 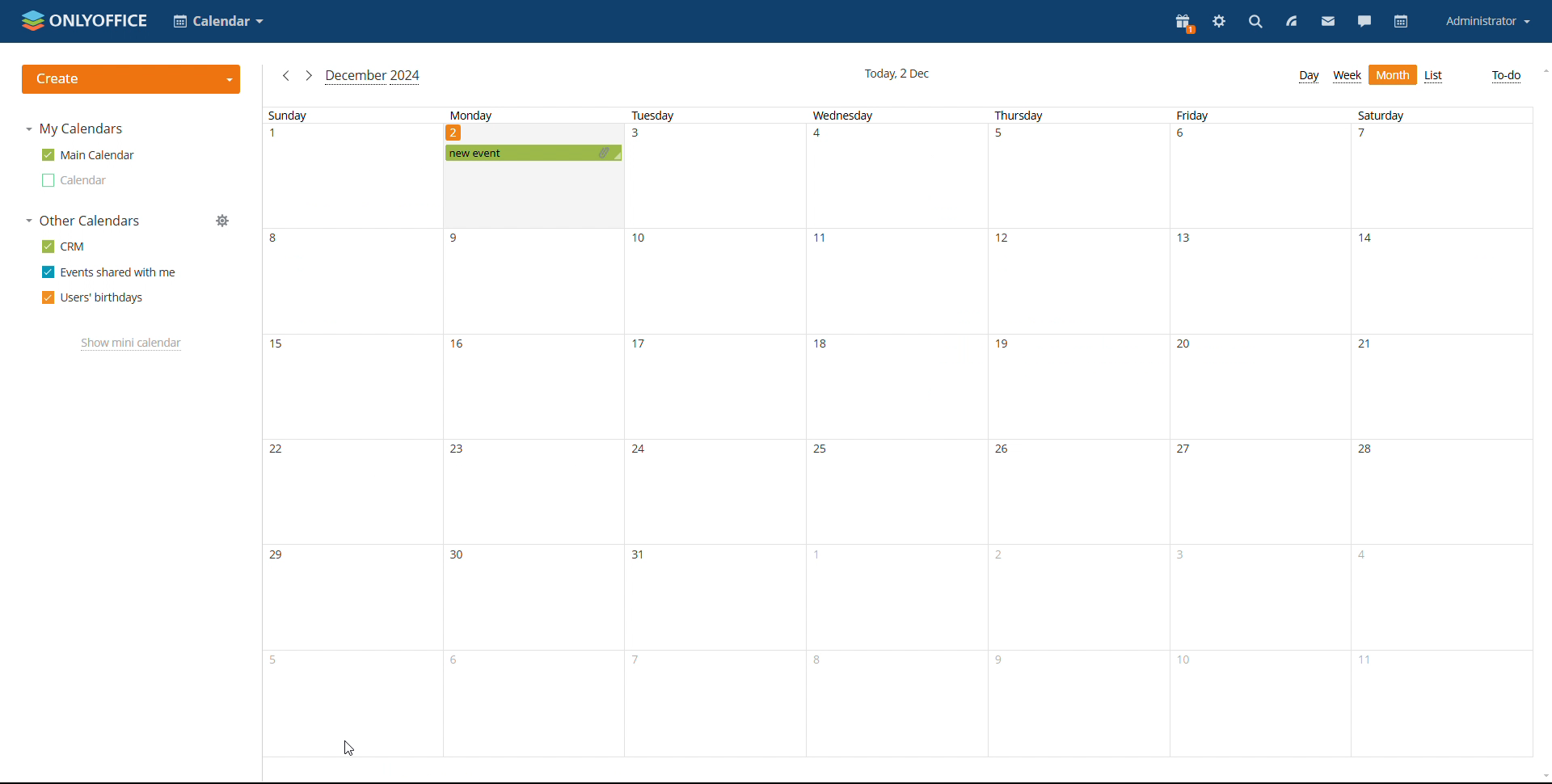 What do you see at coordinates (61, 246) in the screenshot?
I see `crm` at bounding box center [61, 246].